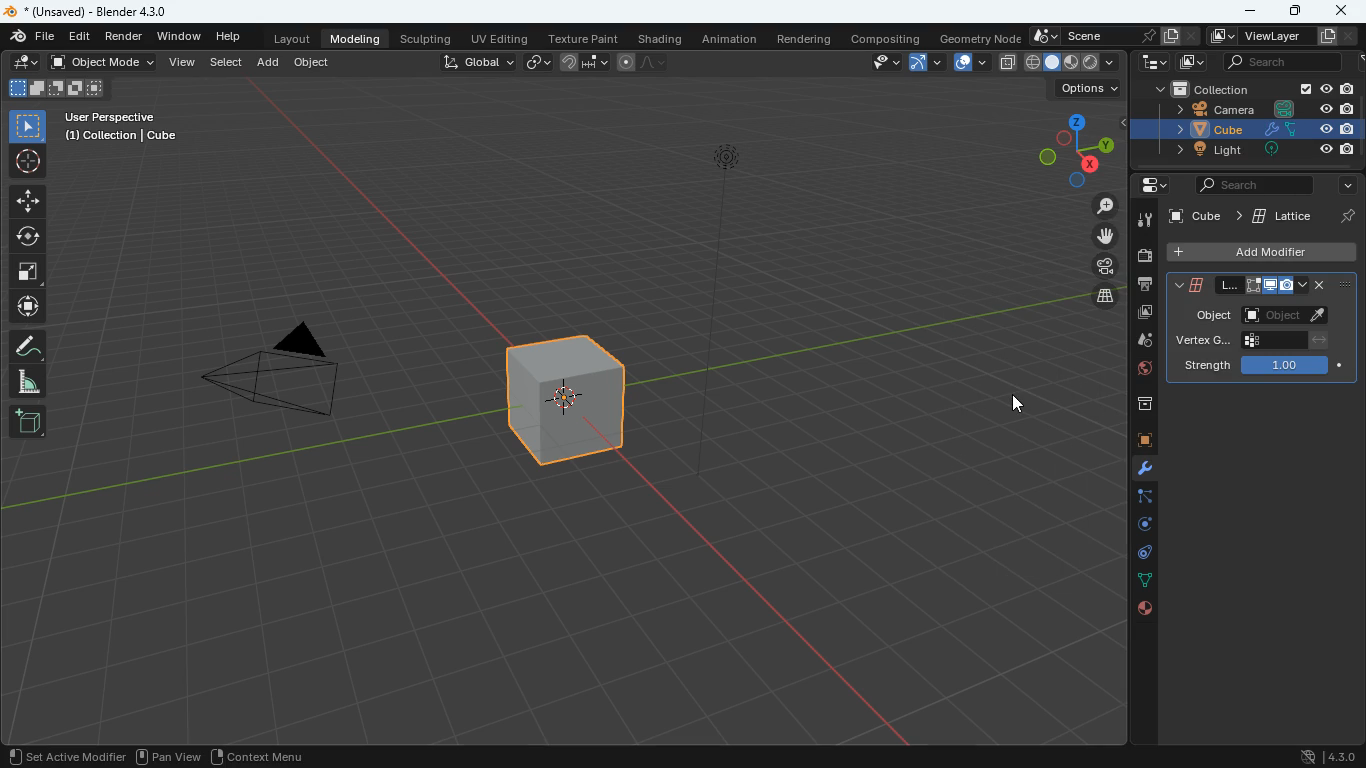 The width and height of the screenshot is (1366, 768). What do you see at coordinates (809, 41) in the screenshot?
I see `rendering` at bounding box center [809, 41].